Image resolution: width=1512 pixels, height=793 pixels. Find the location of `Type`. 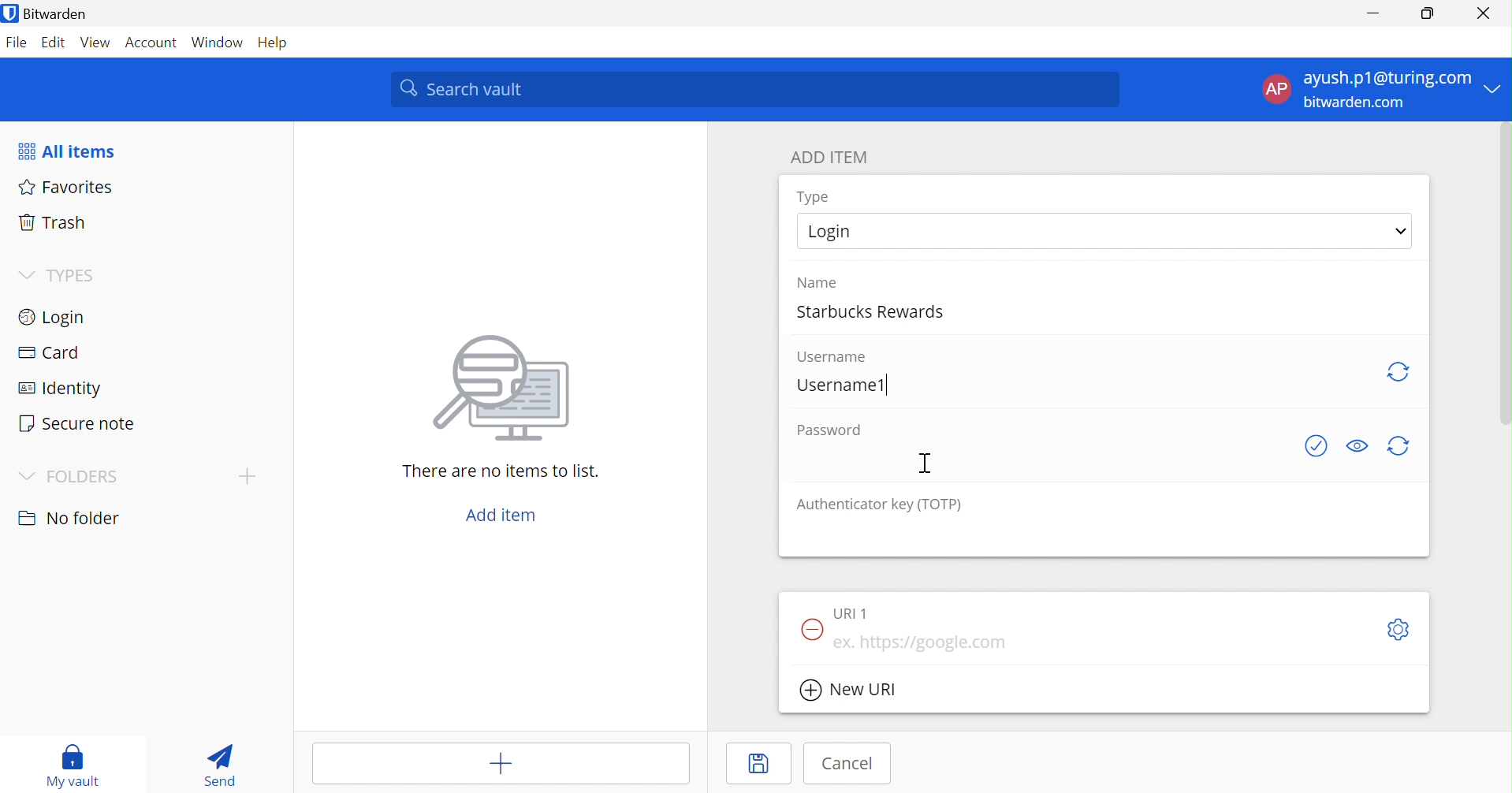

Type is located at coordinates (815, 197).